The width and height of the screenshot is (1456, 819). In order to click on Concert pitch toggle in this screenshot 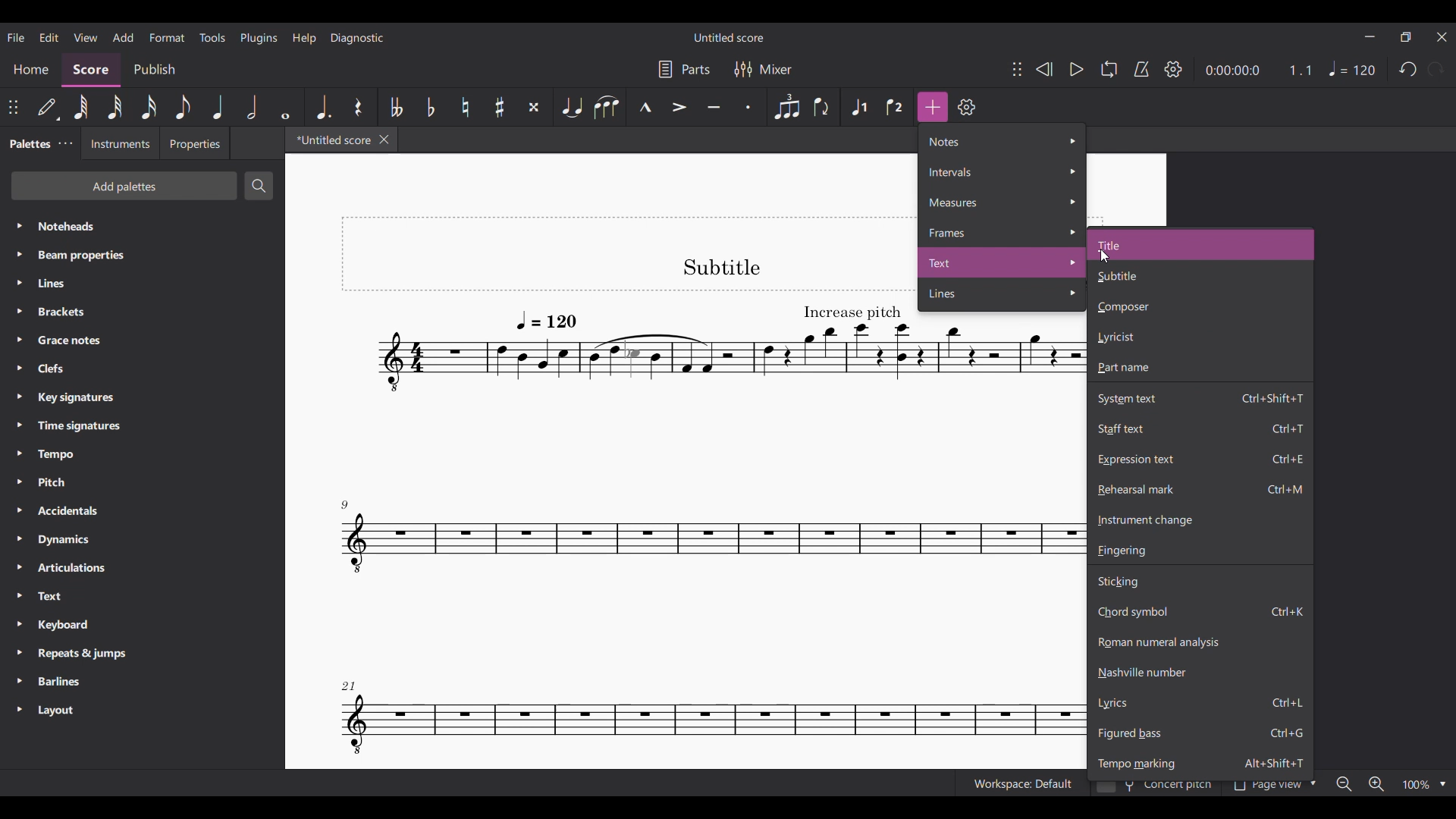, I will do `click(1155, 789)`.